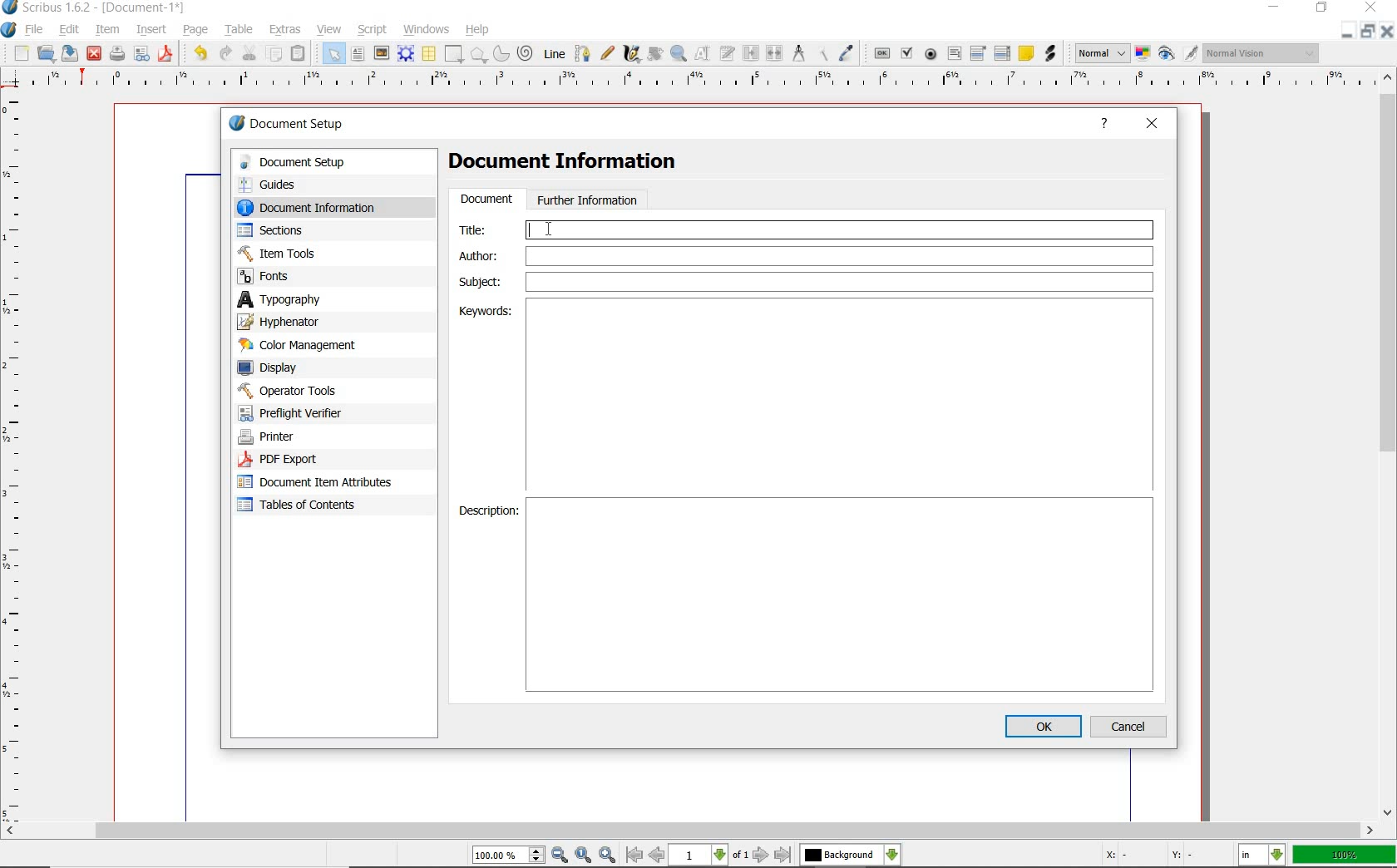  What do you see at coordinates (632, 55) in the screenshot?
I see `calligraphic line` at bounding box center [632, 55].